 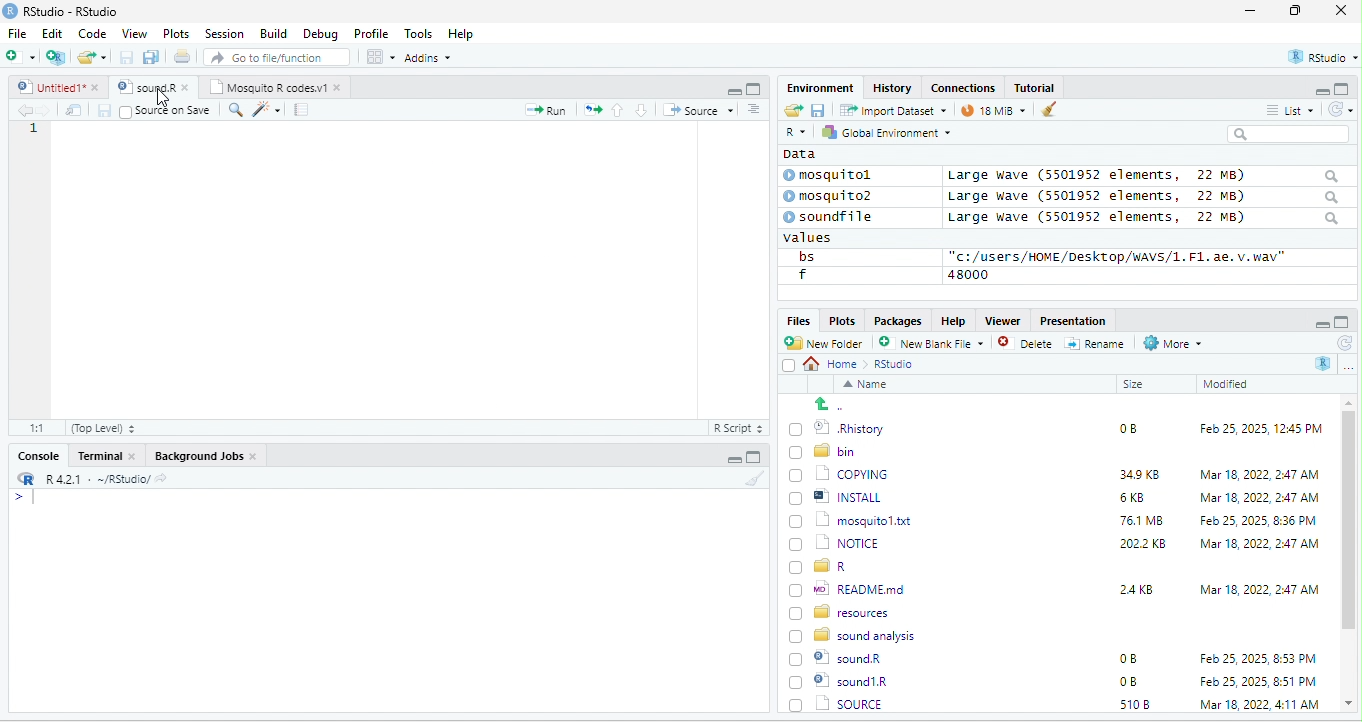 What do you see at coordinates (1071, 320) in the screenshot?
I see `Presentation` at bounding box center [1071, 320].